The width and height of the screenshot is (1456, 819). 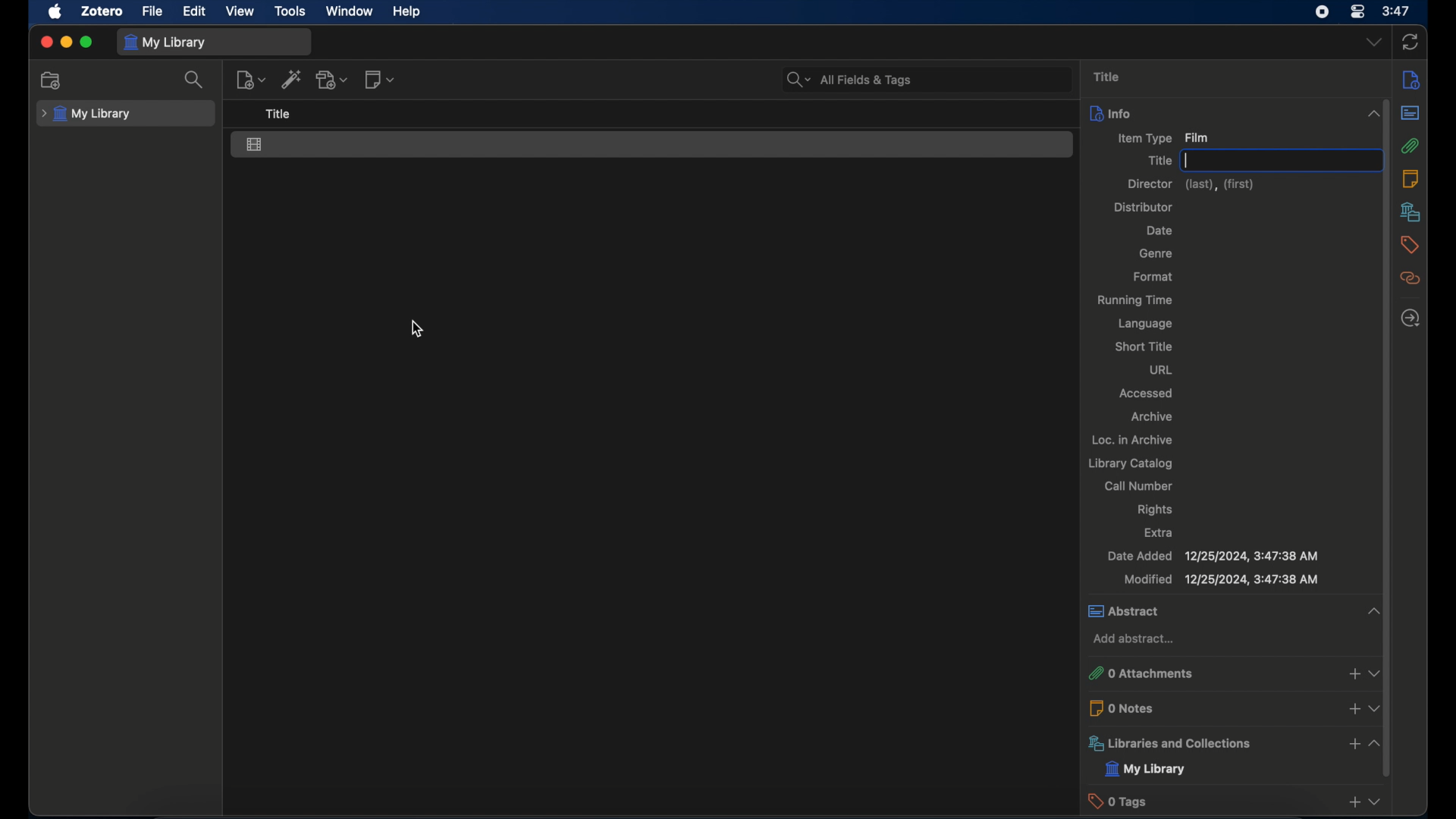 What do you see at coordinates (1144, 346) in the screenshot?
I see `short title` at bounding box center [1144, 346].